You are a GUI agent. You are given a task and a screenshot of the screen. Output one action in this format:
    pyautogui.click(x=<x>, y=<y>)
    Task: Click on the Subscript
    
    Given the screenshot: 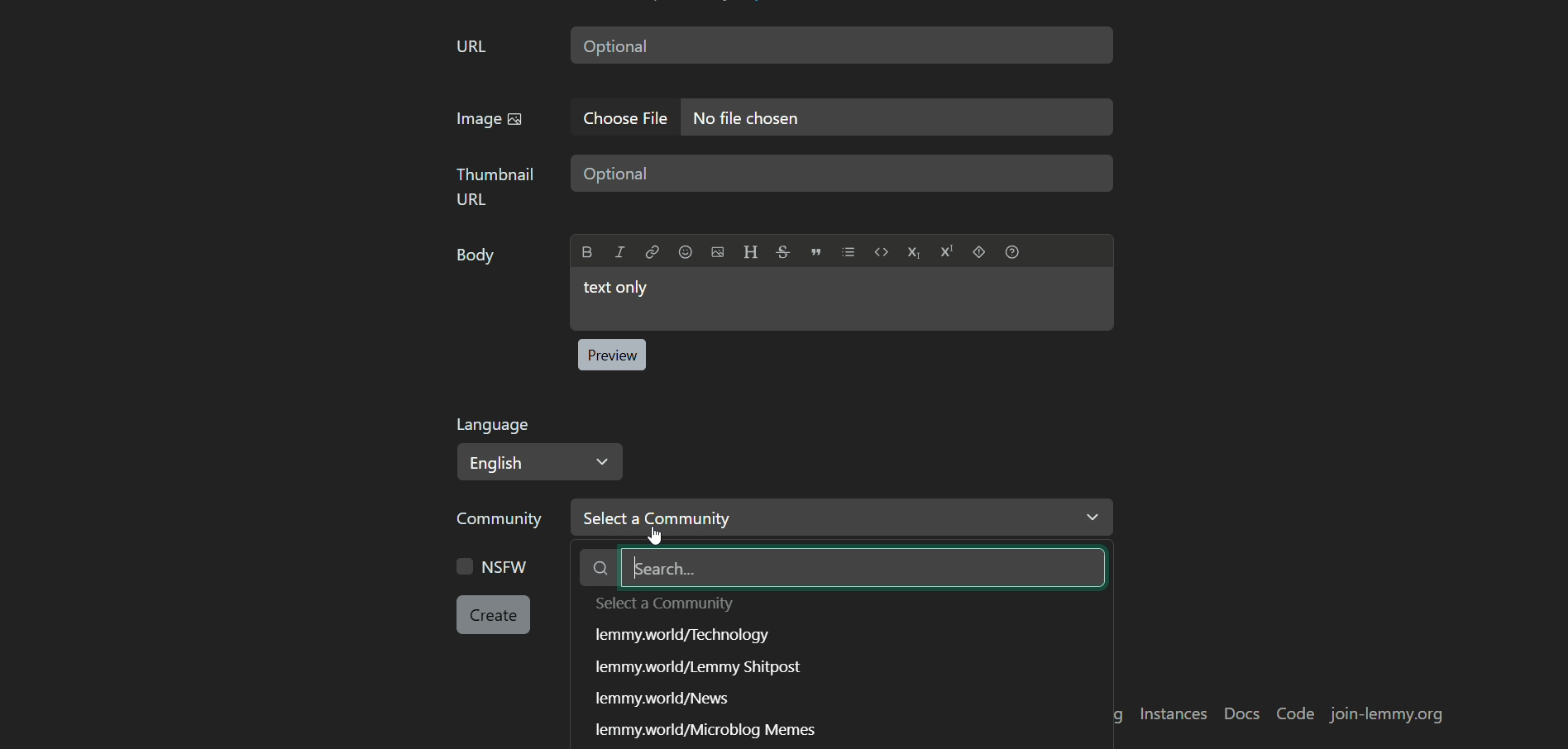 What is the action you would take?
    pyautogui.click(x=913, y=252)
    